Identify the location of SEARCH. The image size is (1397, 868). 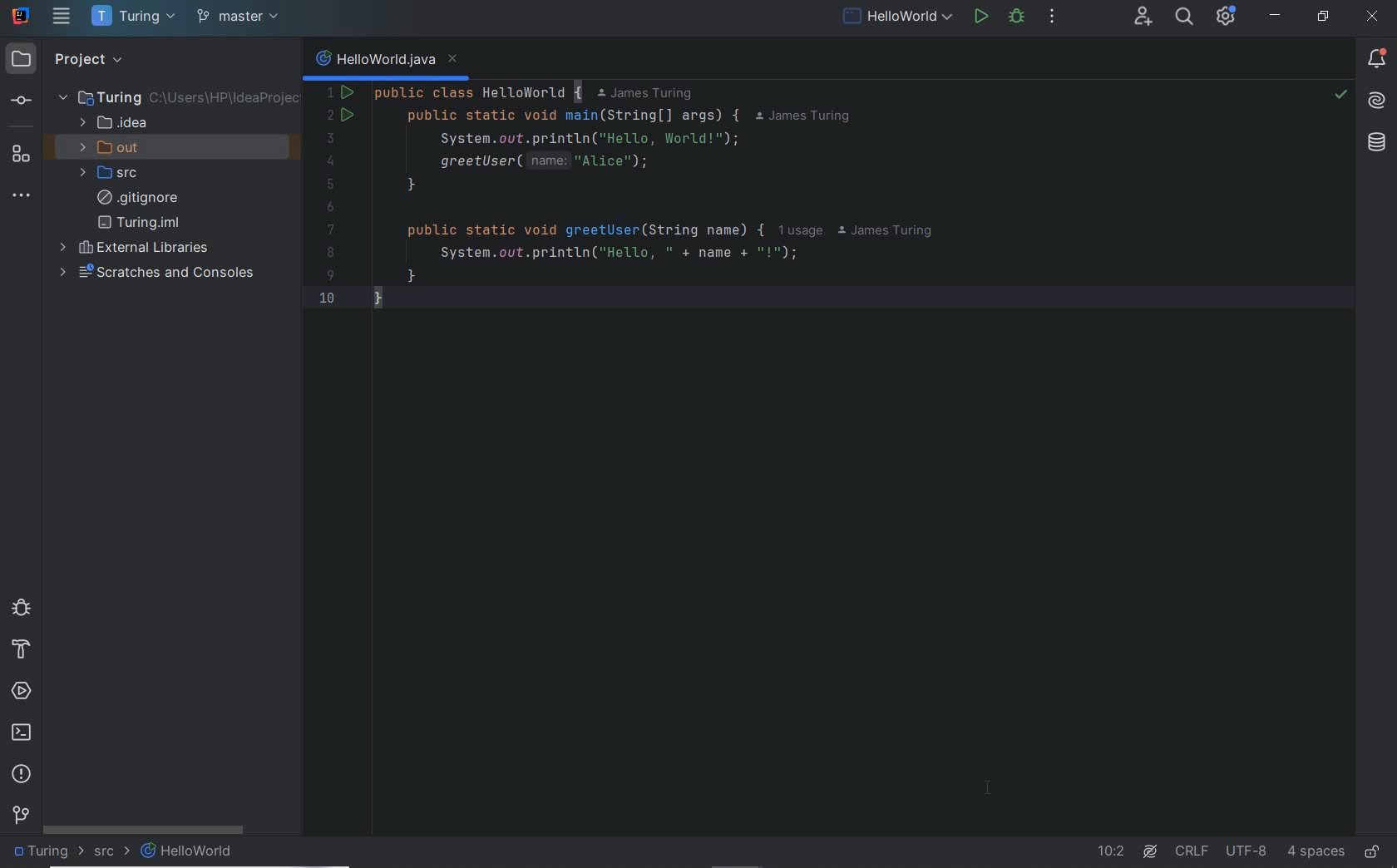
(1182, 16).